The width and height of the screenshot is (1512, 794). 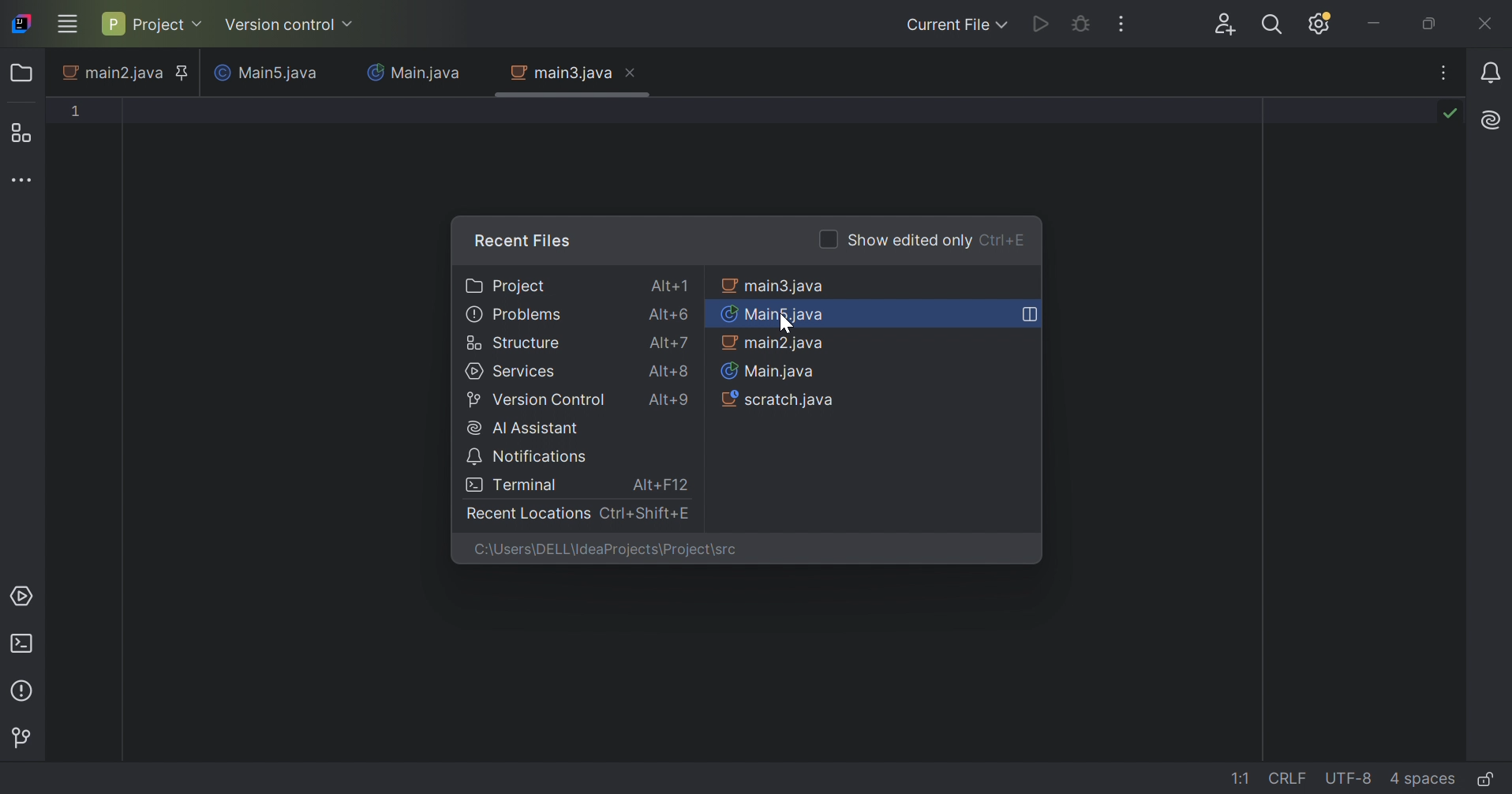 What do you see at coordinates (1288, 777) in the screenshot?
I see `line separation: \r\n` at bounding box center [1288, 777].